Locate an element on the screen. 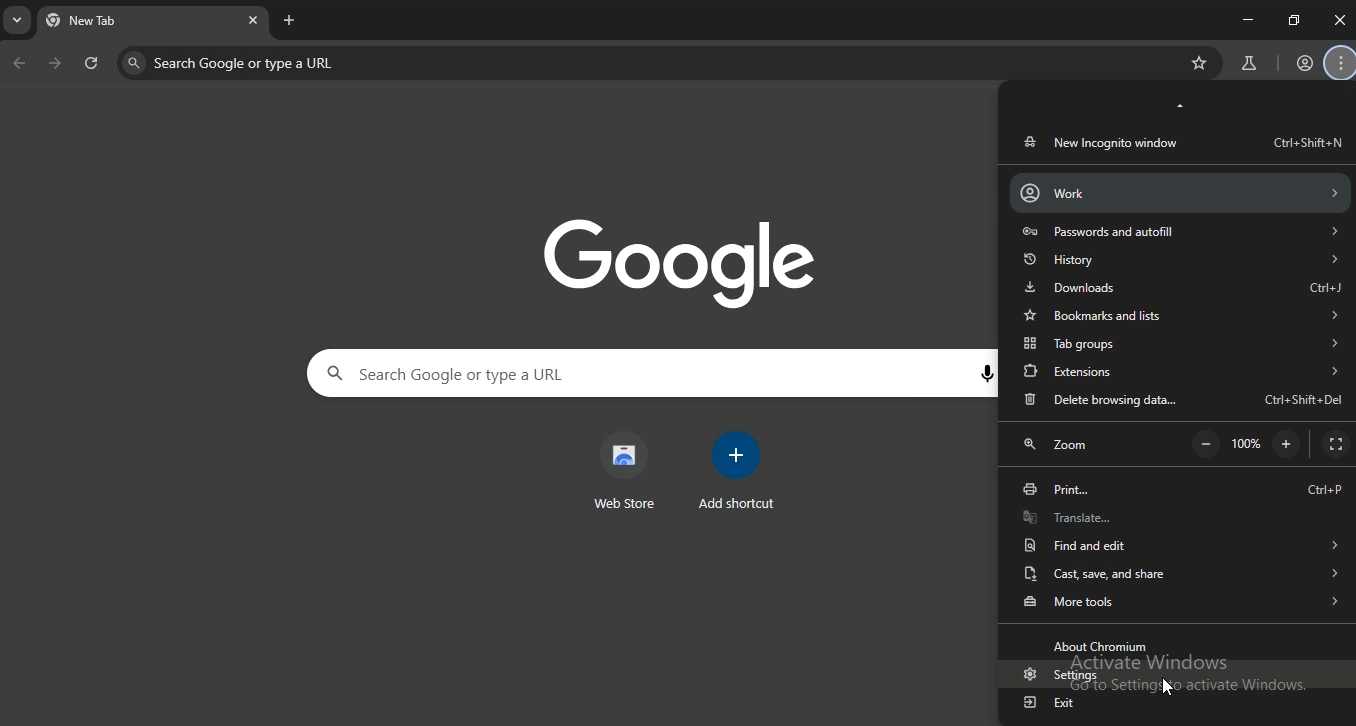  account is located at coordinates (1178, 192).